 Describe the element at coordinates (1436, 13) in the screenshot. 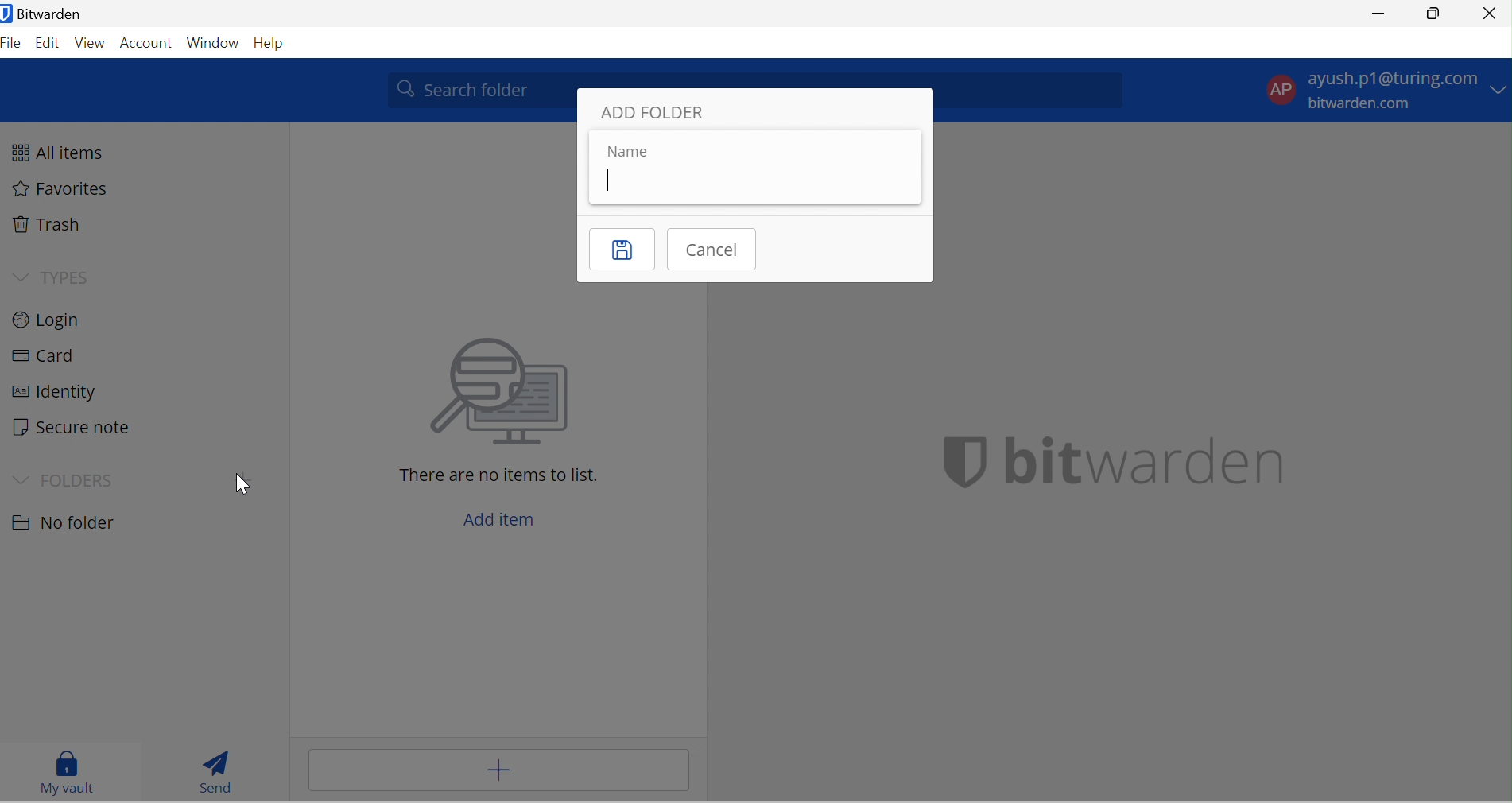

I see `Restore Down` at that location.